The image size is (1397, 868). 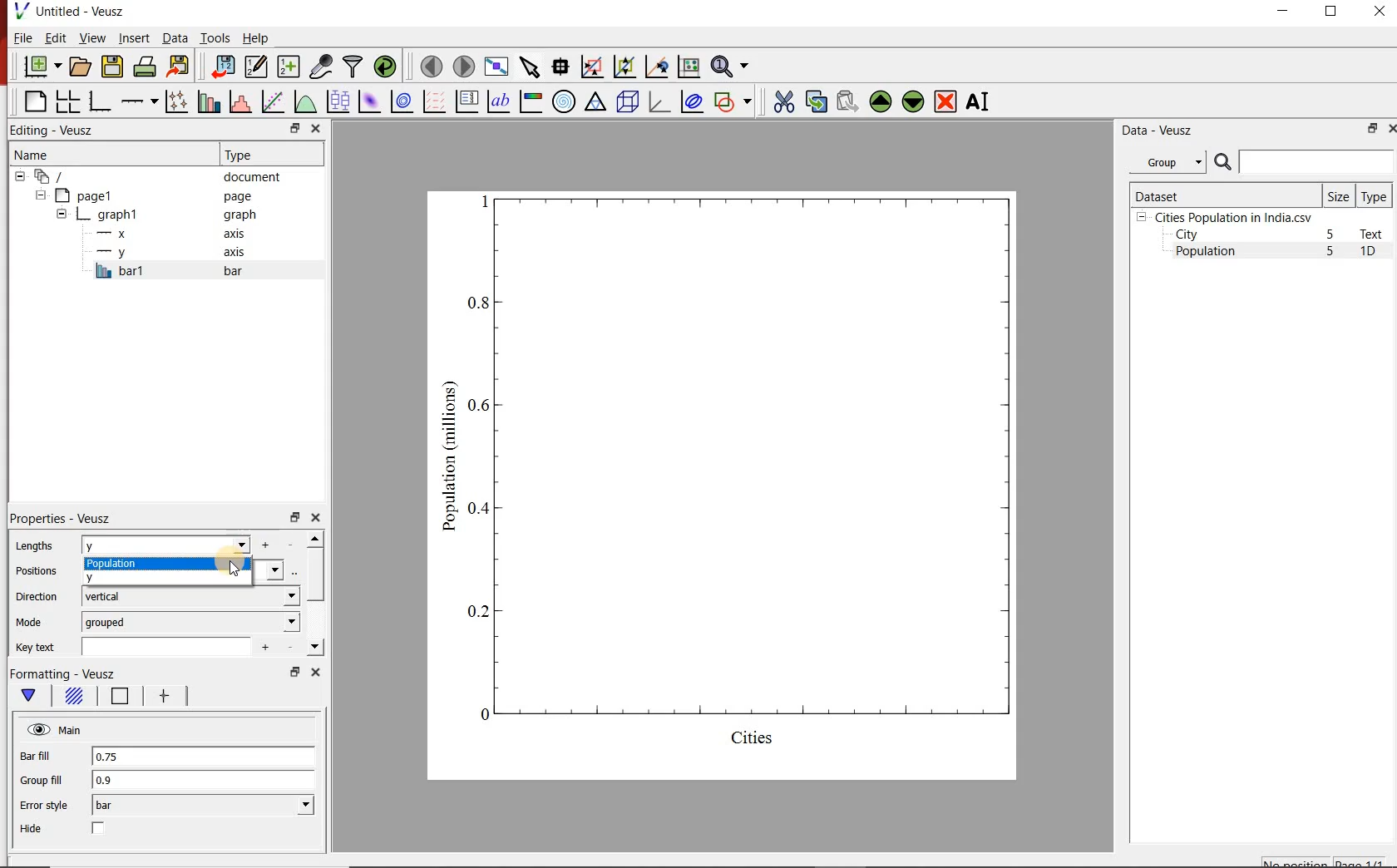 What do you see at coordinates (119, 577) in the screenshot?
I see `y` at bounding box center [119, 577].